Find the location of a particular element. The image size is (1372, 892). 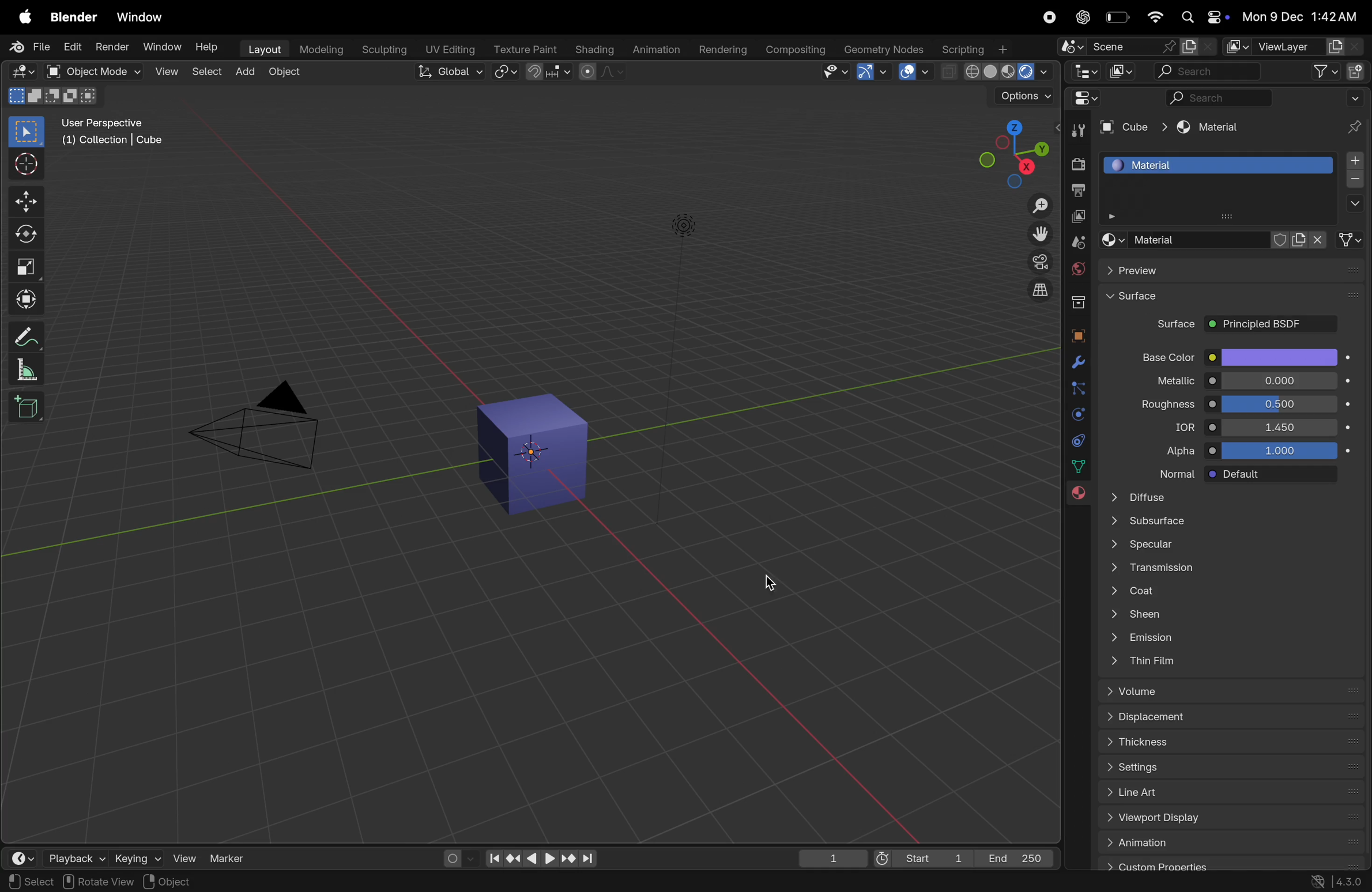

thickness is located at coordinates (1227, 740).